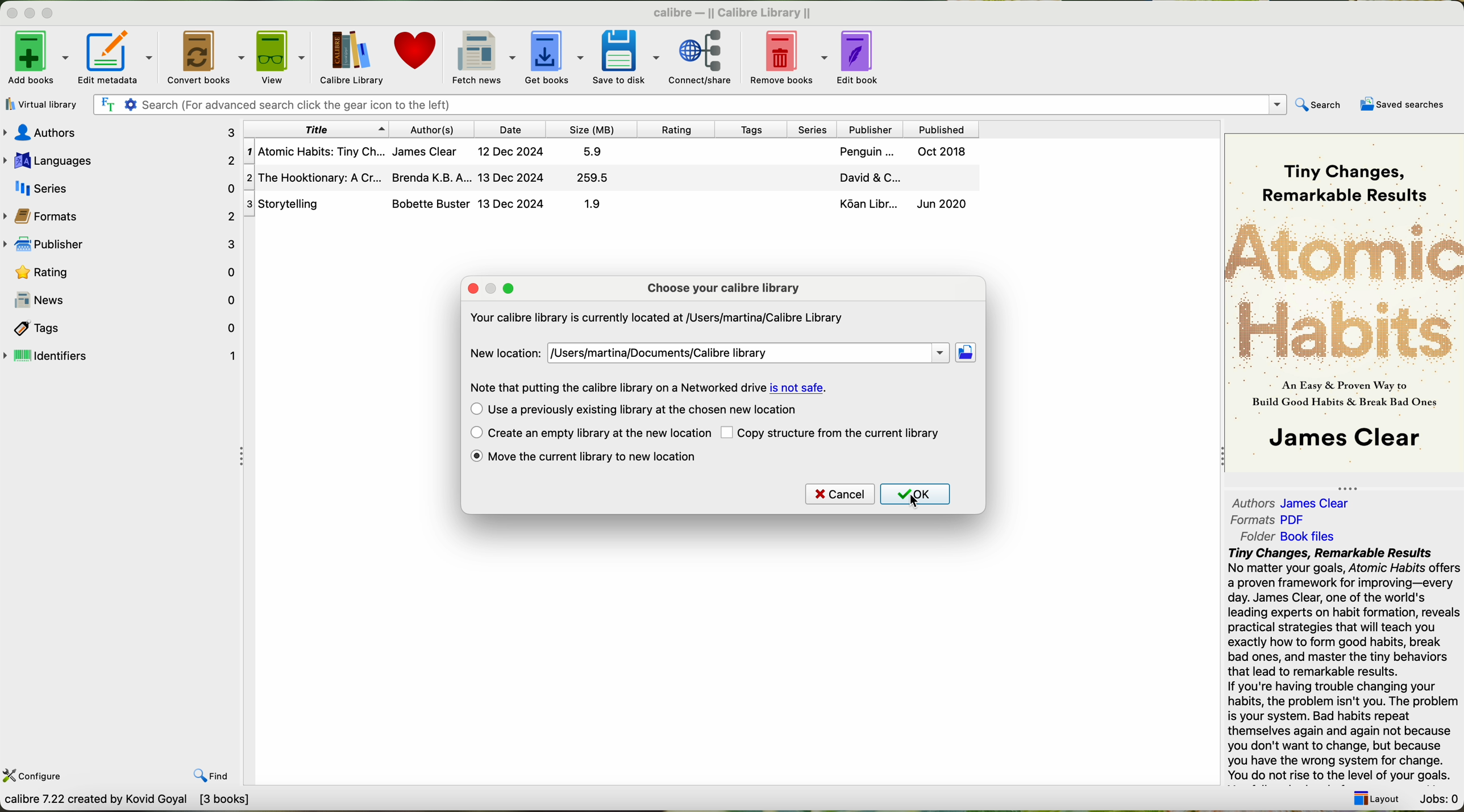  Describe the element at coordinates (968, 354) in the screenshot. I see `click on new location` at that location.